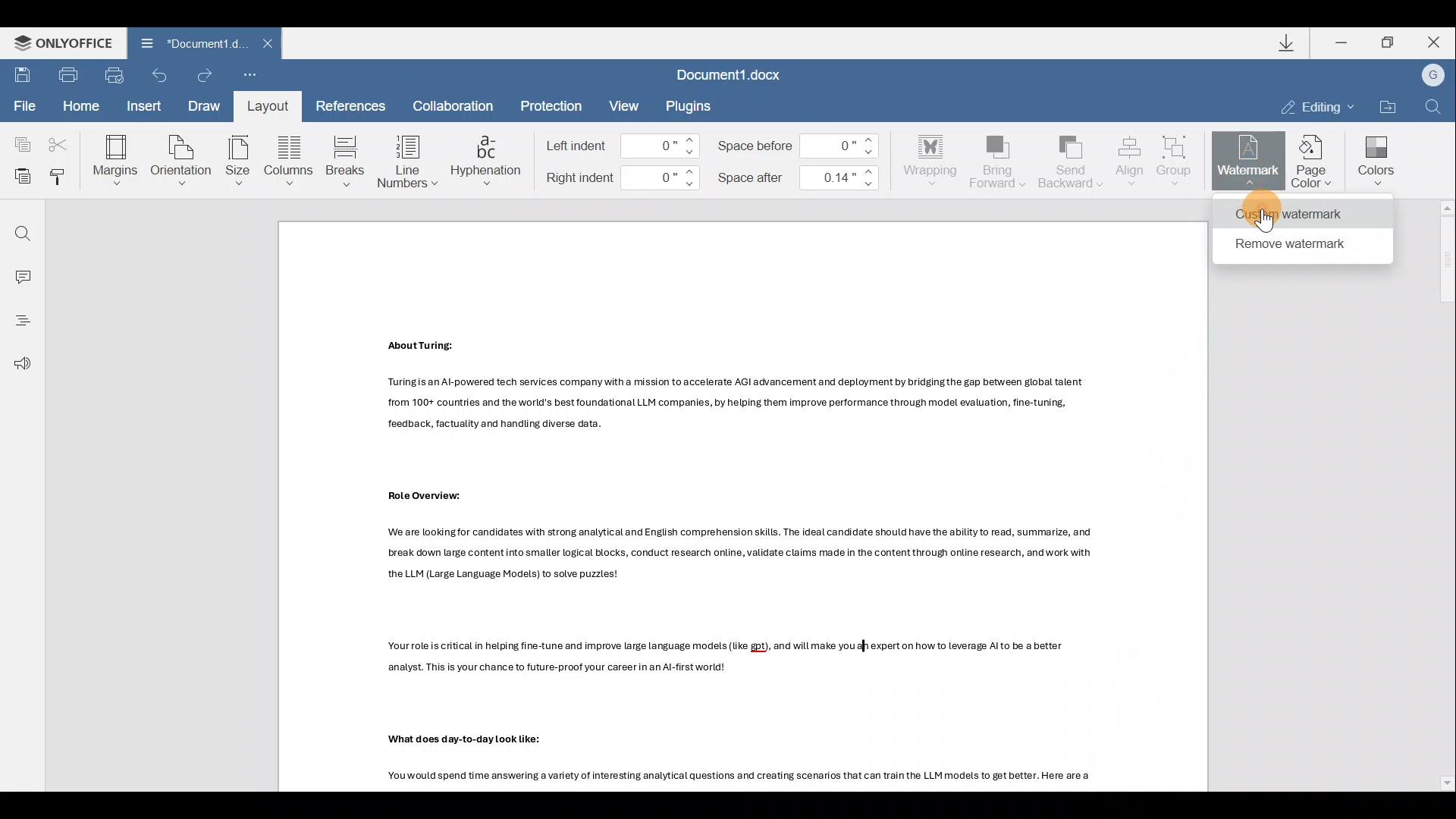 The width and height of the screenshot is (1456, 819). I want to click on Maximize, so click(1386, 42).